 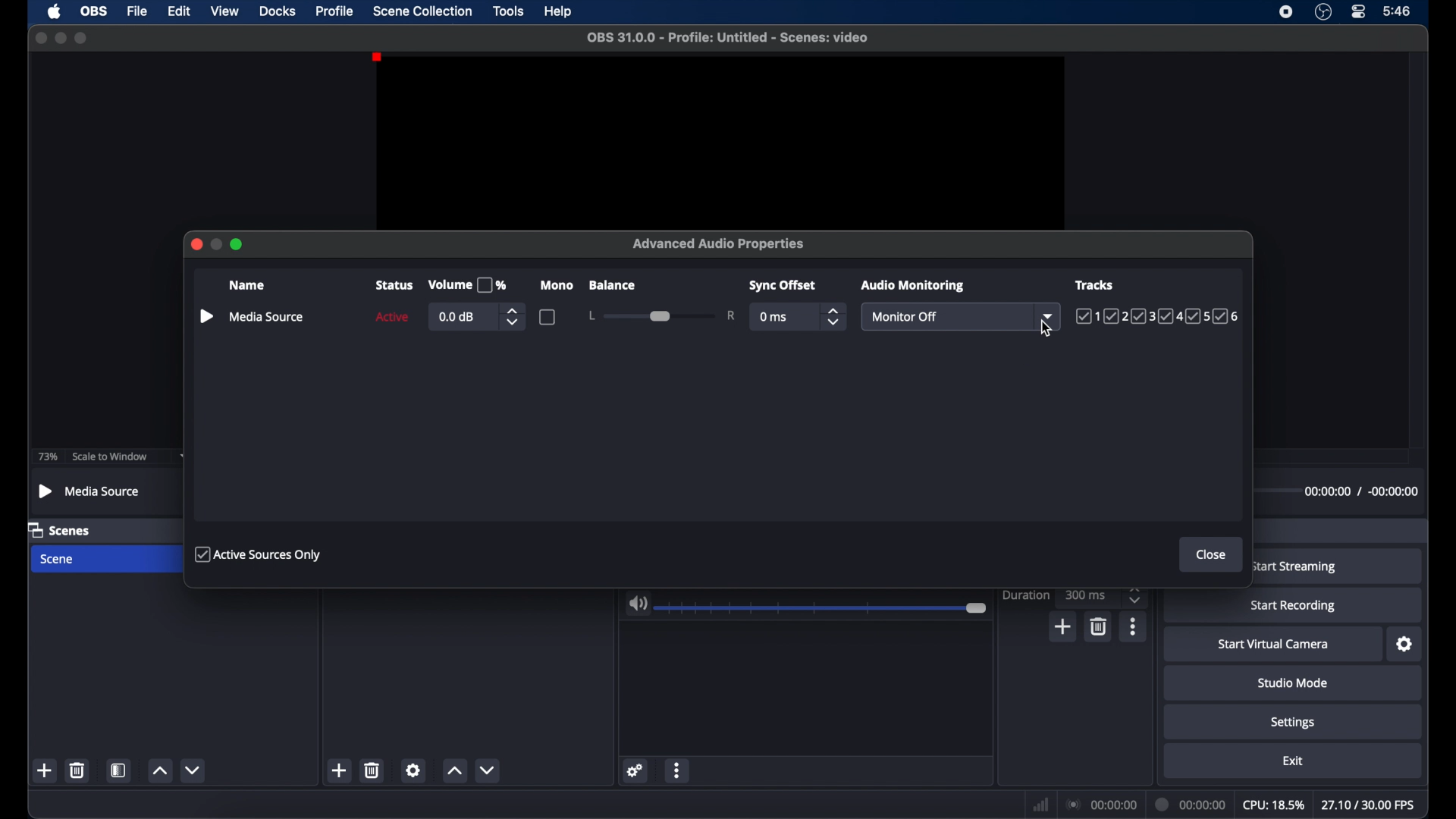 I want to click on exit, so click(x=1293, y=761).